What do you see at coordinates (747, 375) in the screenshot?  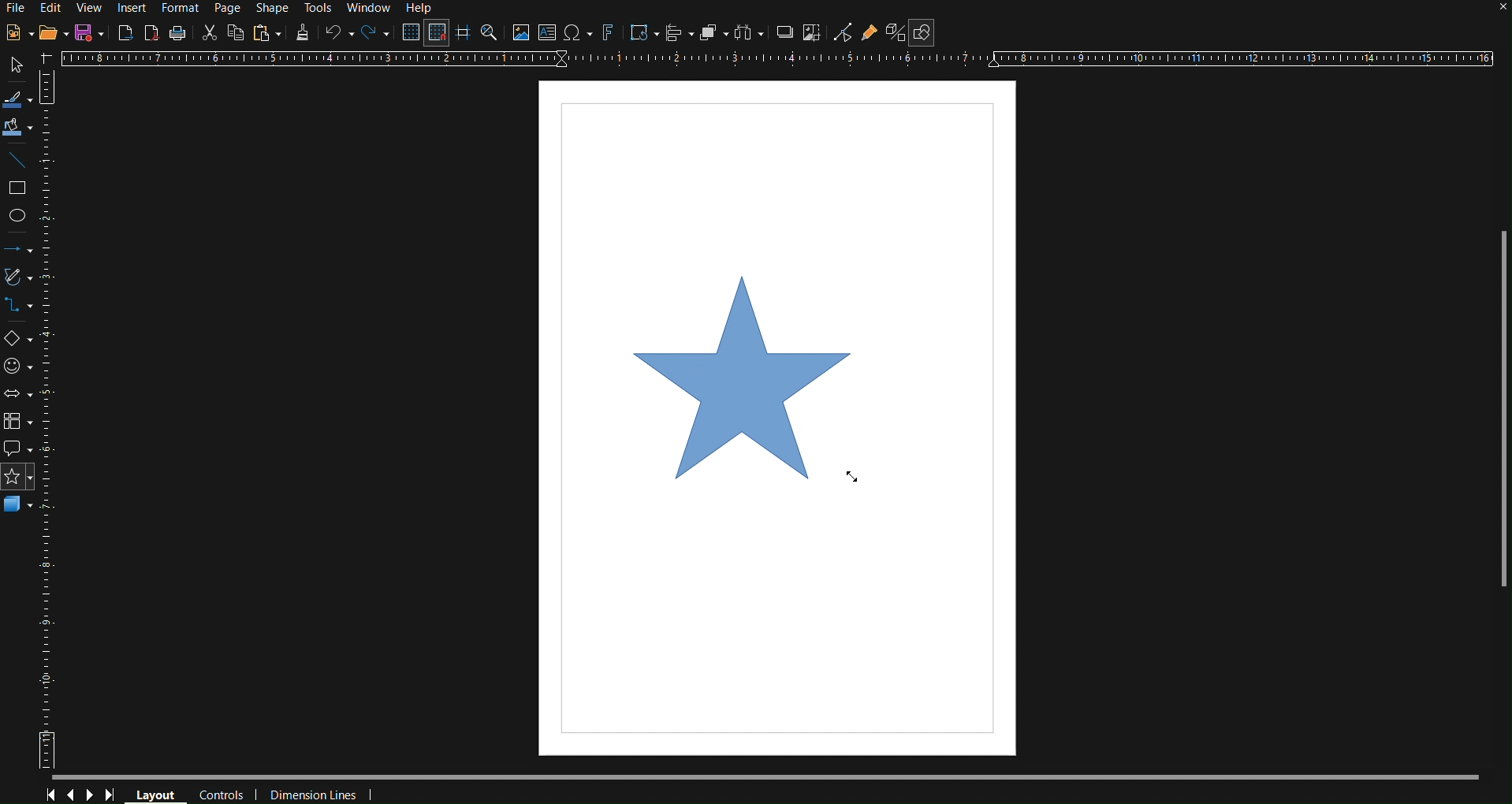 I see `Star (dragged finalized)` at bounding box center [747, 375].